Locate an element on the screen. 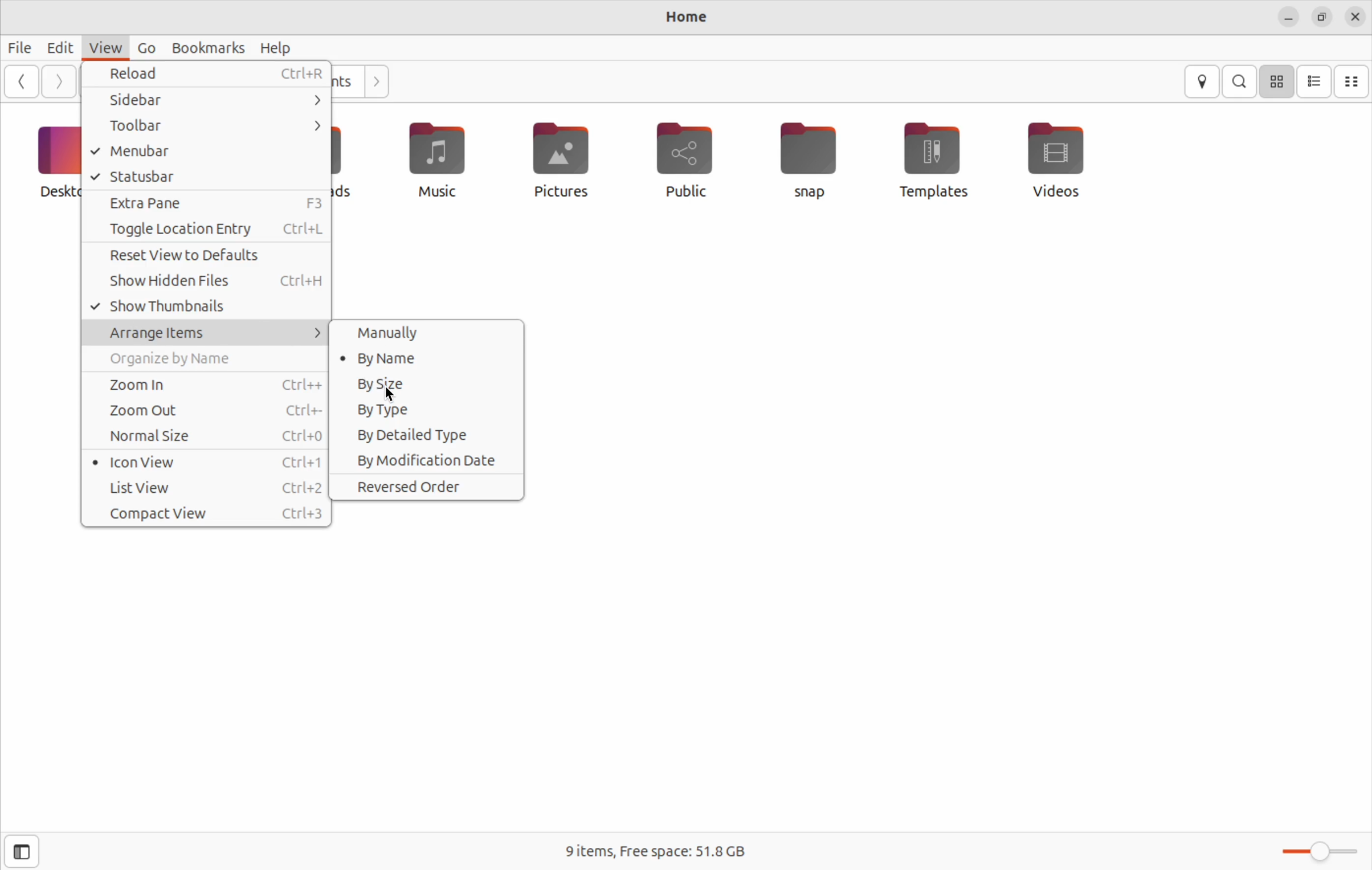 The width and height of the screenshot is (1372, 870). by modification date is located at coordinates (424, 460).